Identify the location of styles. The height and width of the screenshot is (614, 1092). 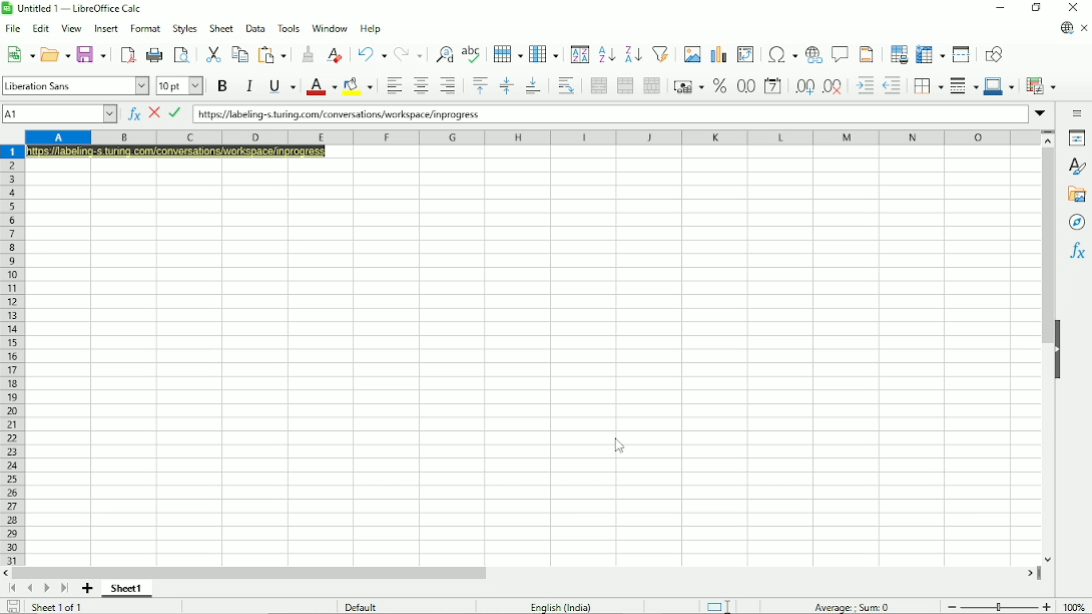
(186, 28).